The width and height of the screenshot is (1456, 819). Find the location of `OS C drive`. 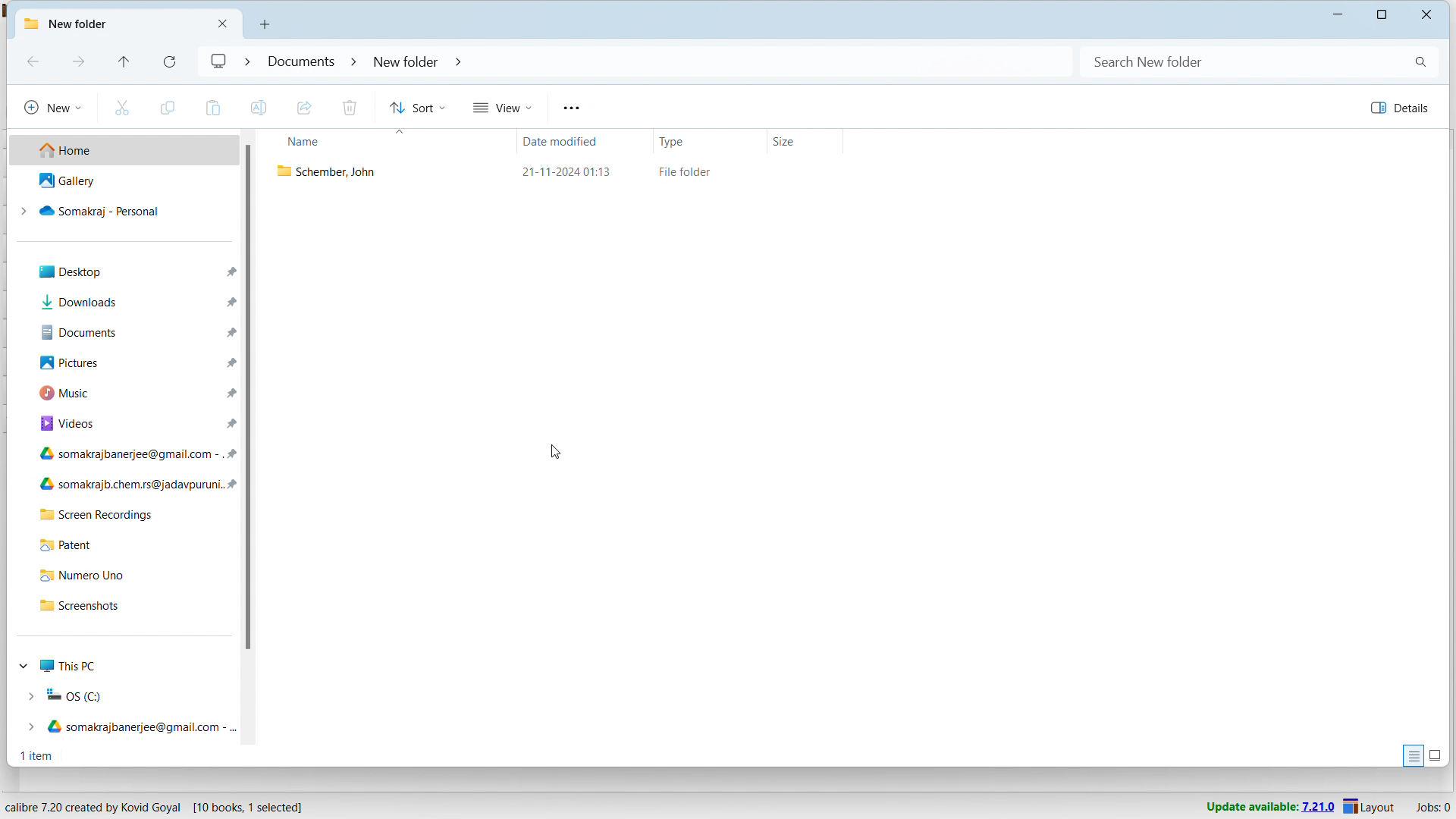

OS C drive is located at coordinates (69, 695).